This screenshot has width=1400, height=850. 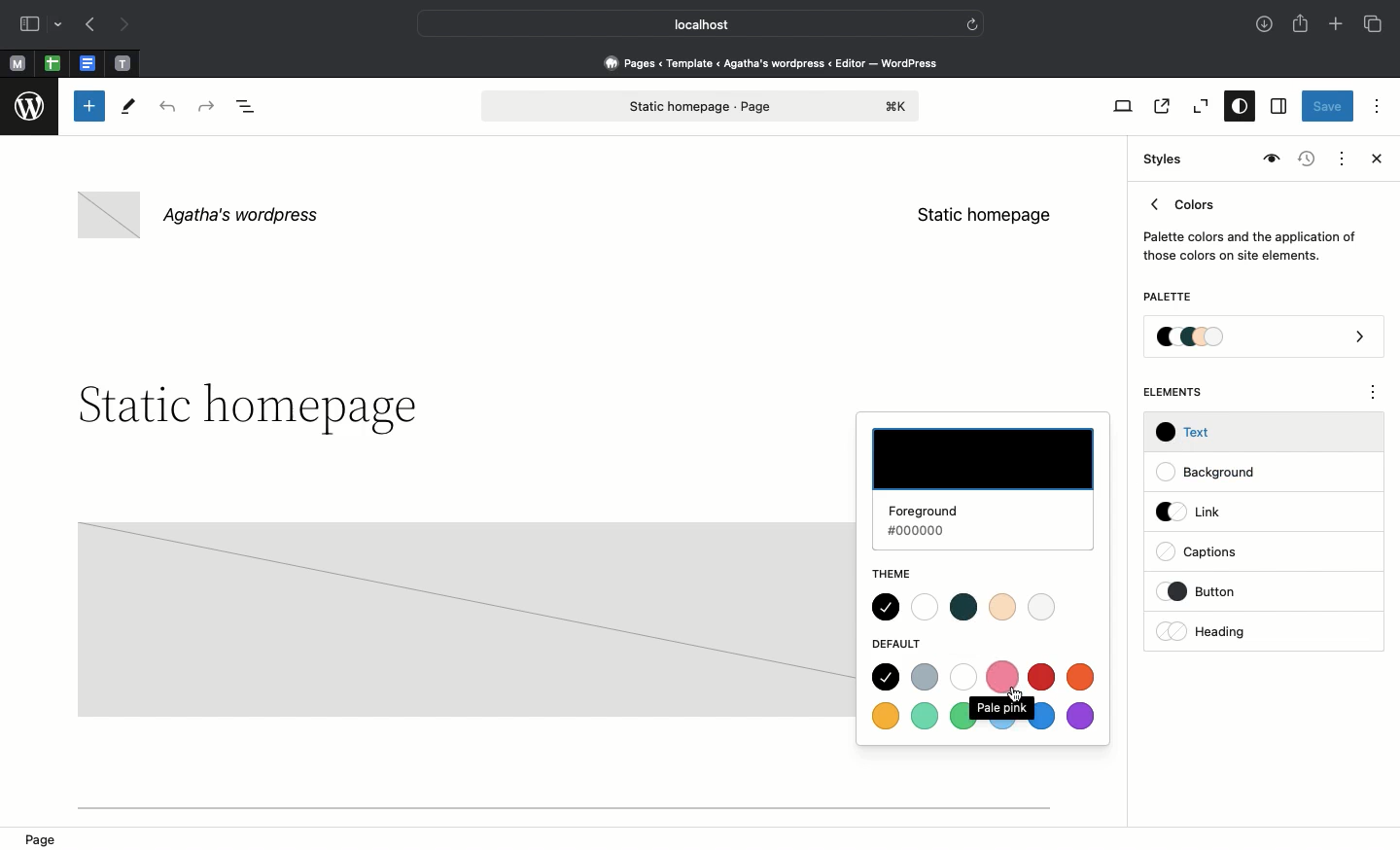 I want to click on Button, so click(x=1214, y=591).